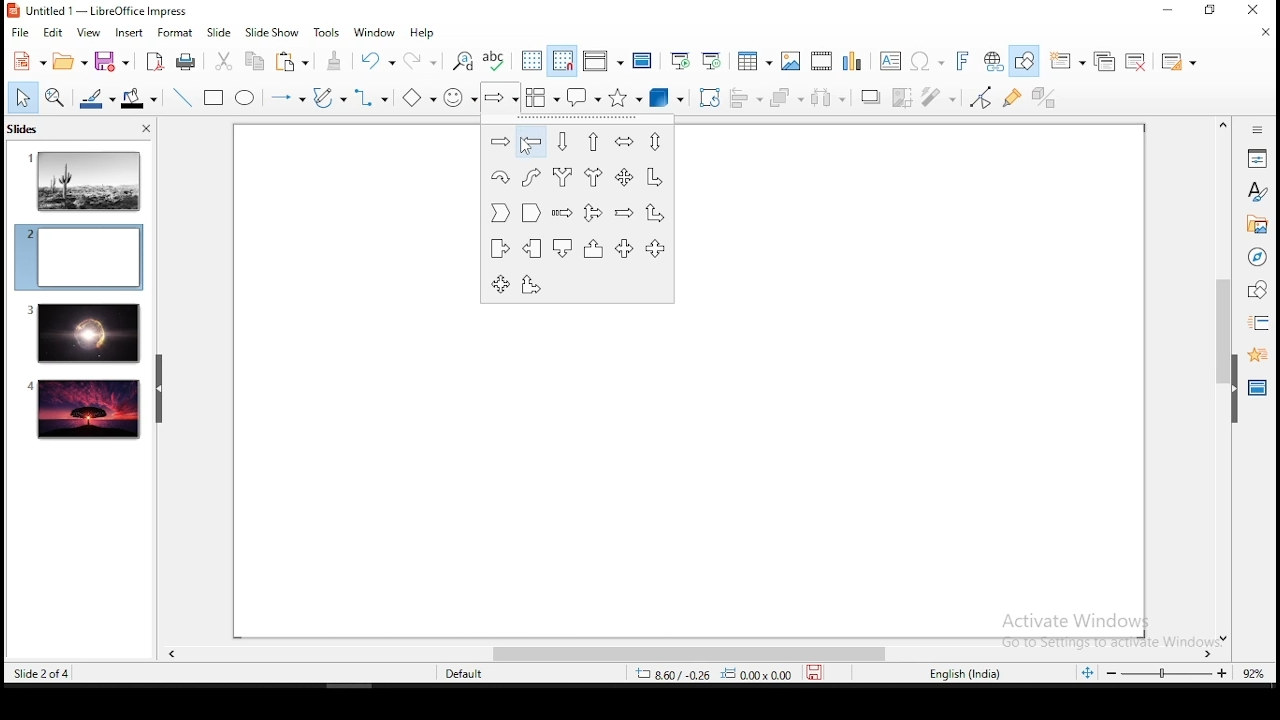  Describe the element at coordinates (1257, 227) in the screenshot. I see `gallery` at that location.